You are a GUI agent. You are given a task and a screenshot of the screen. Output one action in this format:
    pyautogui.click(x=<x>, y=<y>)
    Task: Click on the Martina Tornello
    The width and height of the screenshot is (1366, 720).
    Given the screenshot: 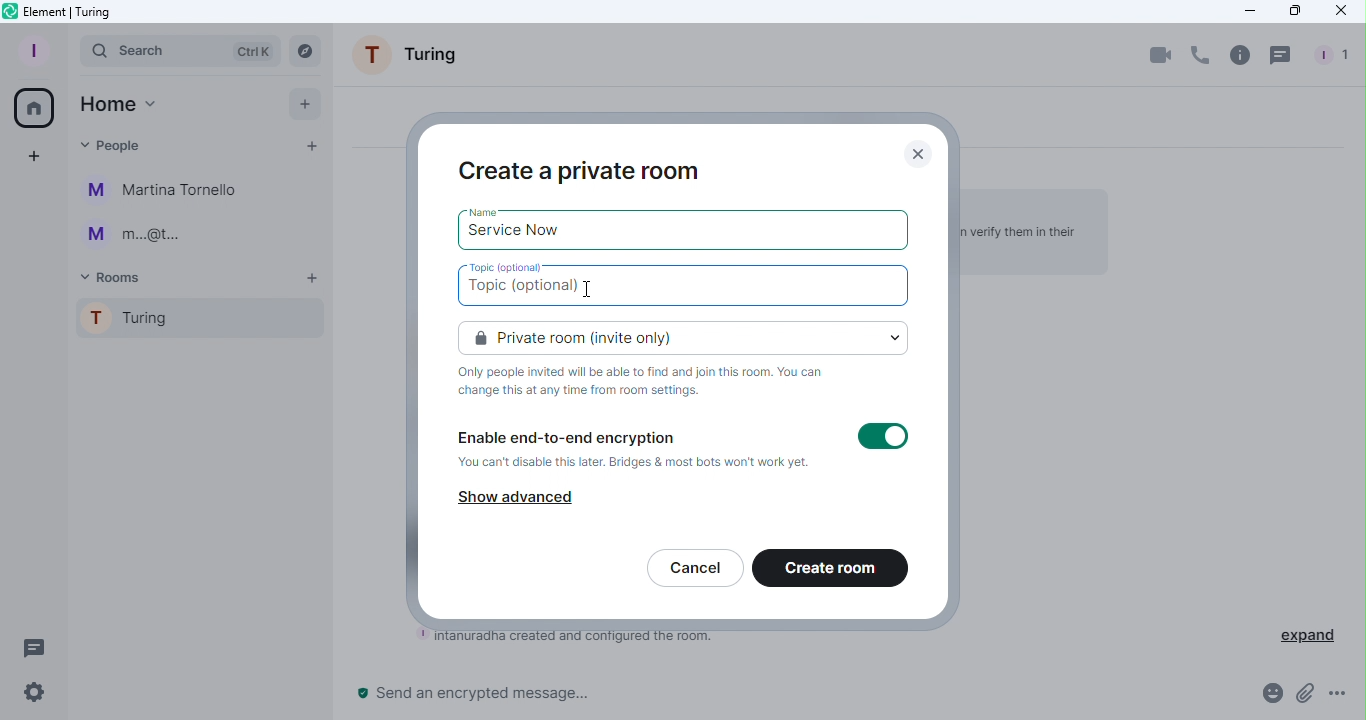 What is the action you would take?
    pyautogui.click(x=165, y=191)
    